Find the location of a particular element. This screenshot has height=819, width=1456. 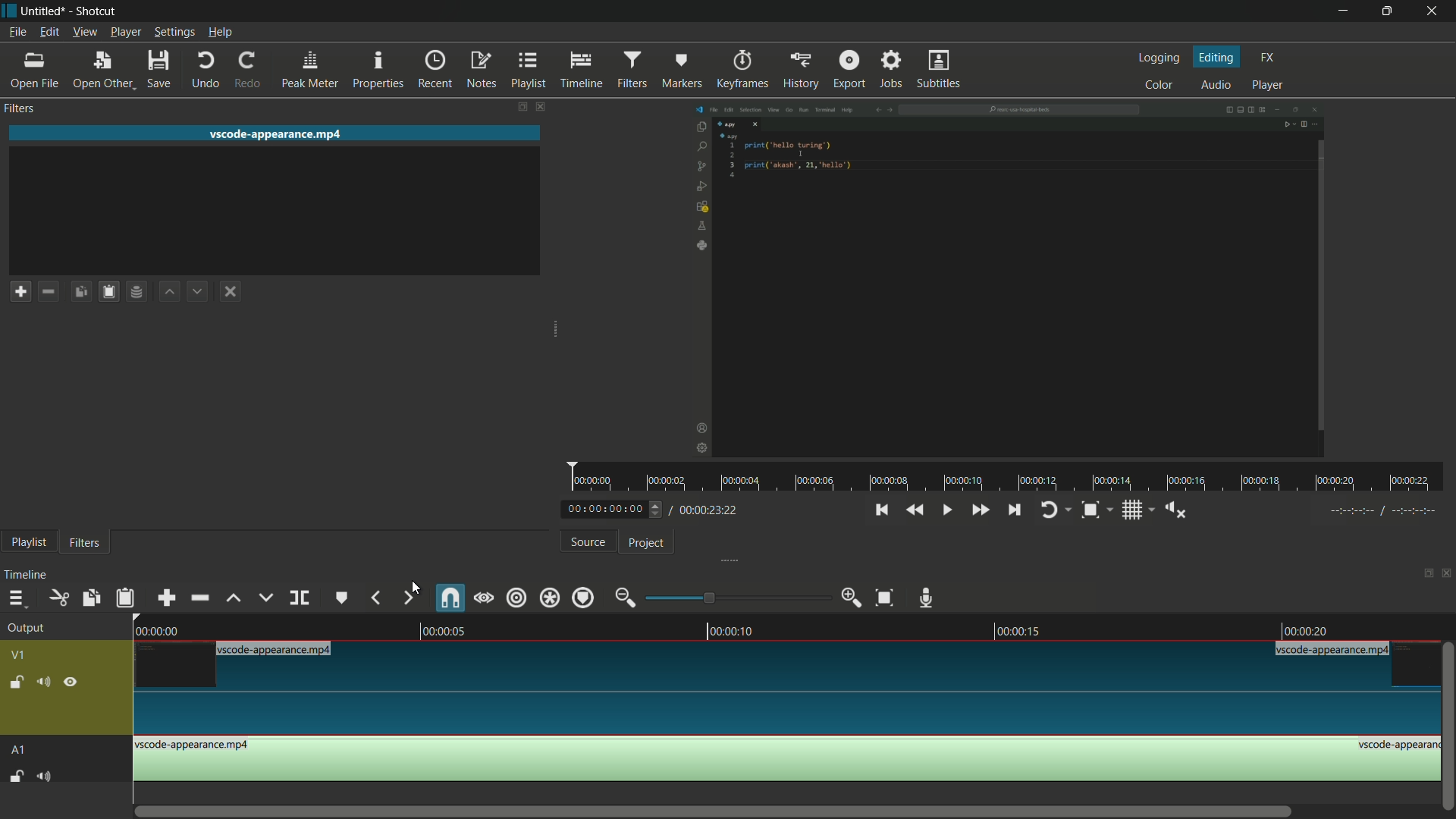

scroll while dragging is located at coordinates (483, 597).